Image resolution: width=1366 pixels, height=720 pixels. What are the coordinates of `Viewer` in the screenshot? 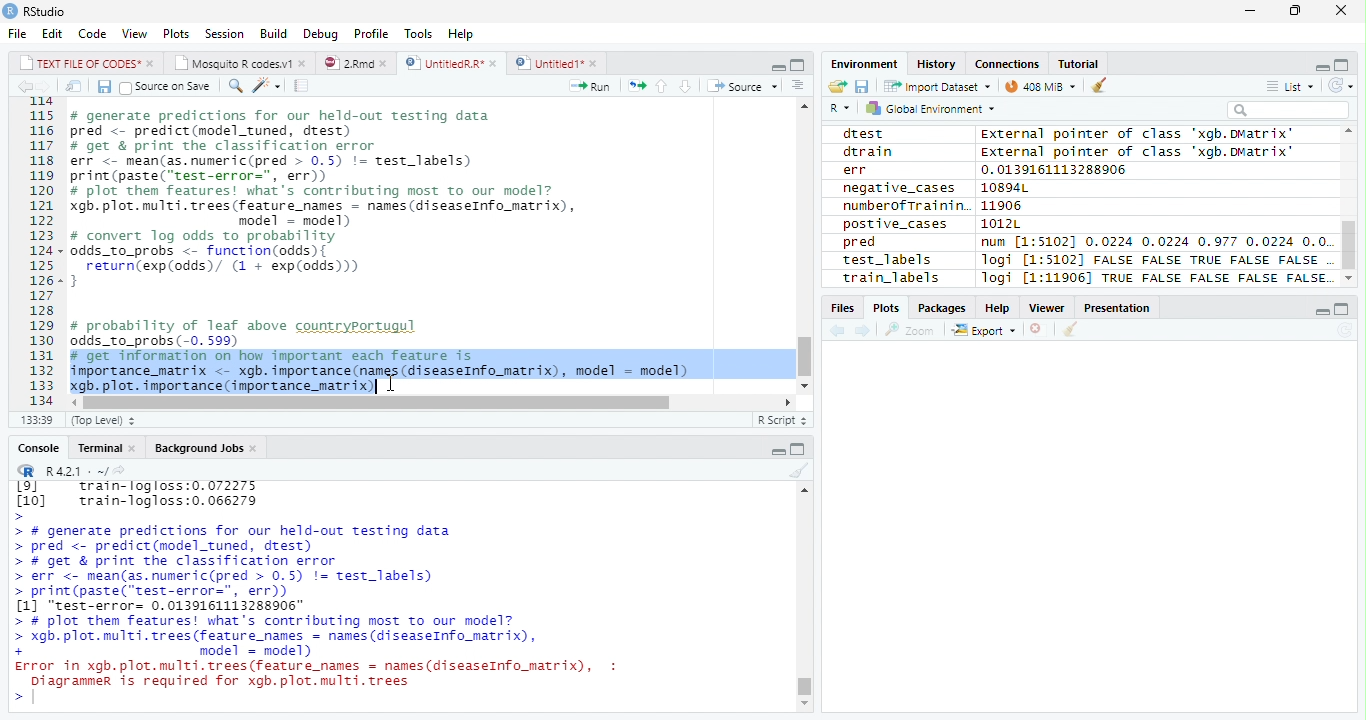 It's located at (1049, 307).